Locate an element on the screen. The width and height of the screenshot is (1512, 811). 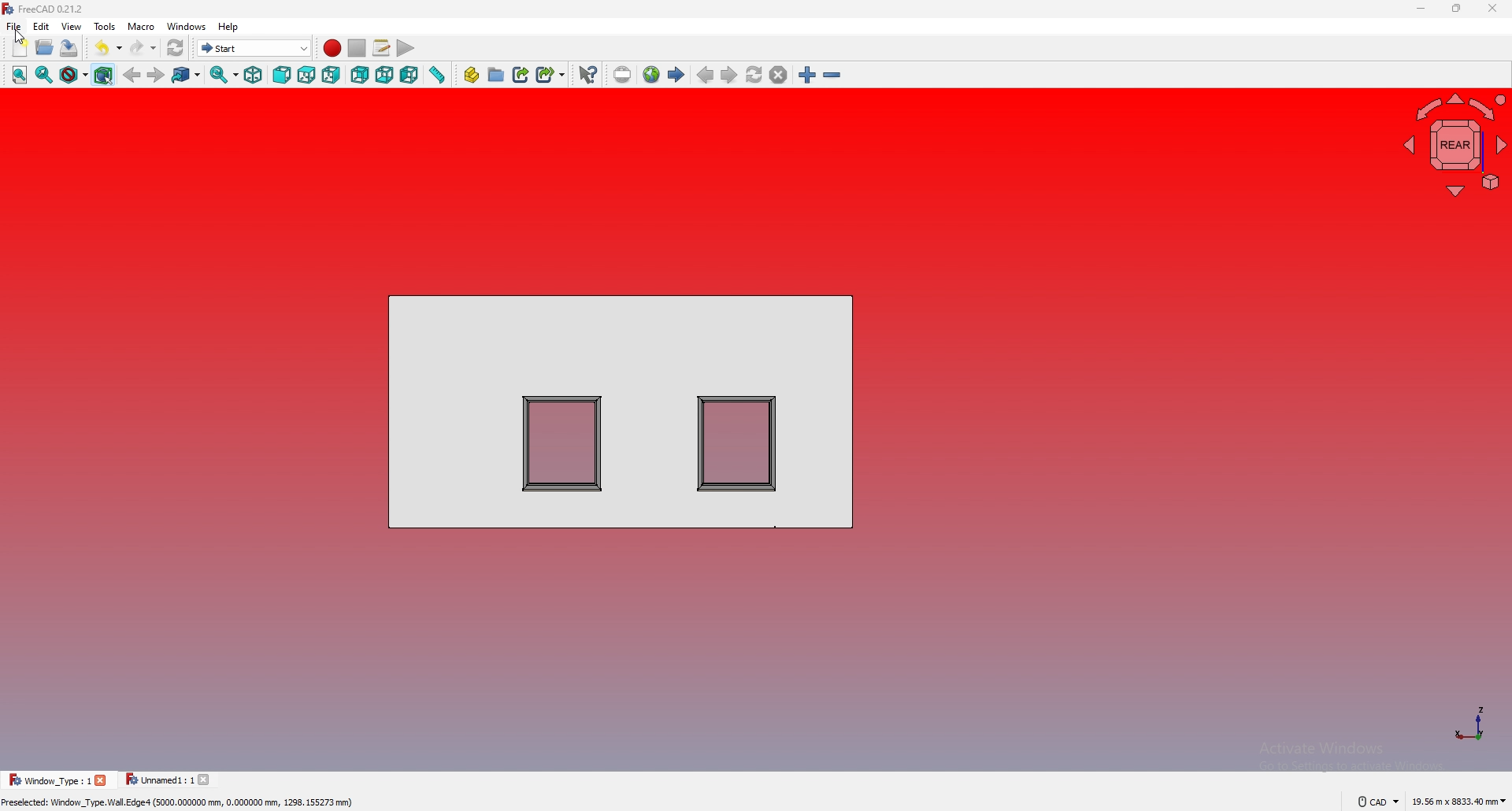
close is located at coordinates (207, 780).